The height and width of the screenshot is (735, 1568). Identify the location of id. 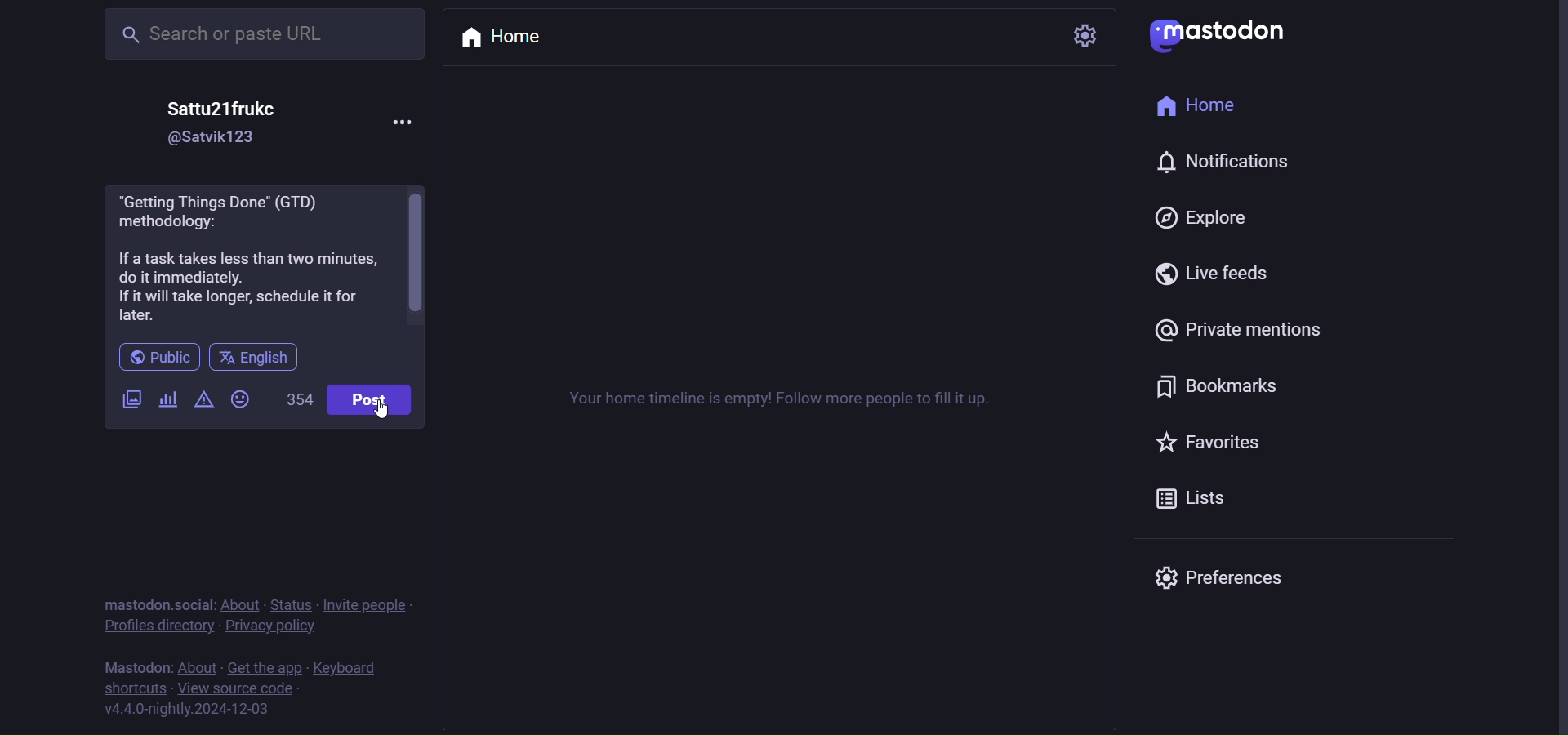
(219, 138).